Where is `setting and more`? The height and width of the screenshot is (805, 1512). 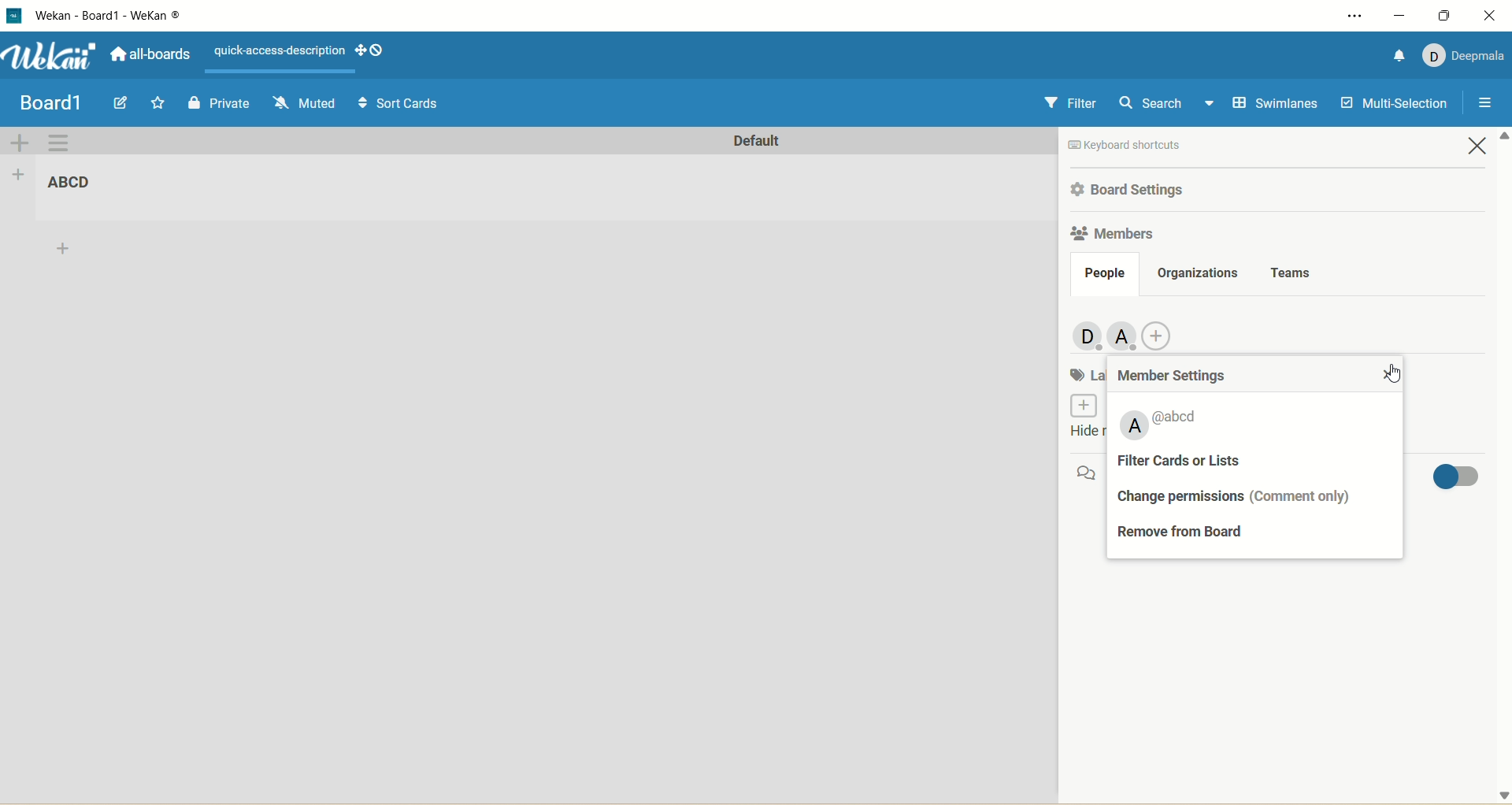
setting and more is located at coordinates (1348, 13).